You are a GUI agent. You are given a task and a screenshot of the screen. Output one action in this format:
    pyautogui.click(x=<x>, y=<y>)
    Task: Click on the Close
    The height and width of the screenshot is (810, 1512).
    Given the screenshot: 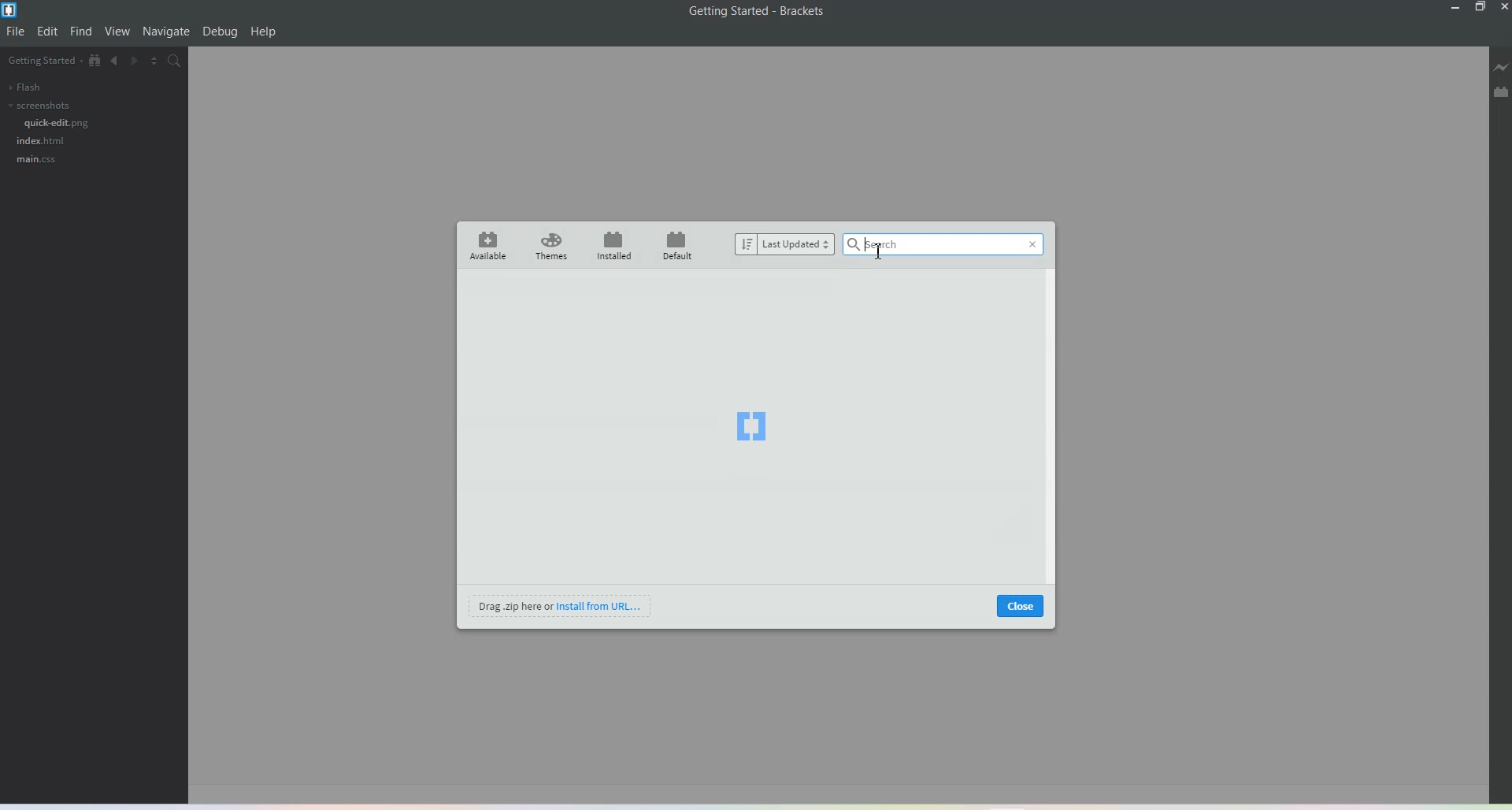 What is the action you would take?
    pyautogui.click(x=1021, y=605)
    